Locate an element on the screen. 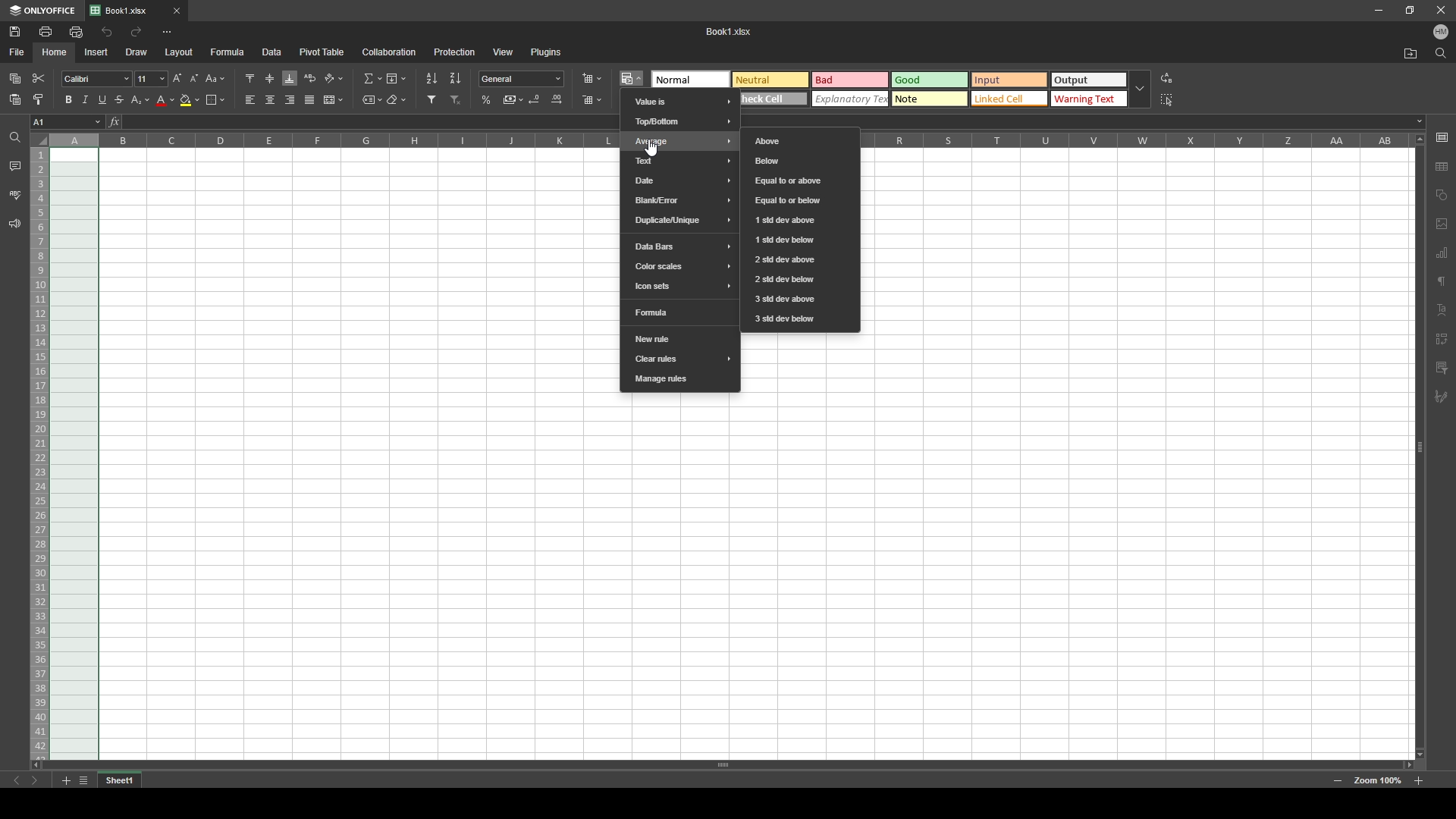 The height and width of the screenshot is (819, 1456). protection is located at coordinates (454, 52).